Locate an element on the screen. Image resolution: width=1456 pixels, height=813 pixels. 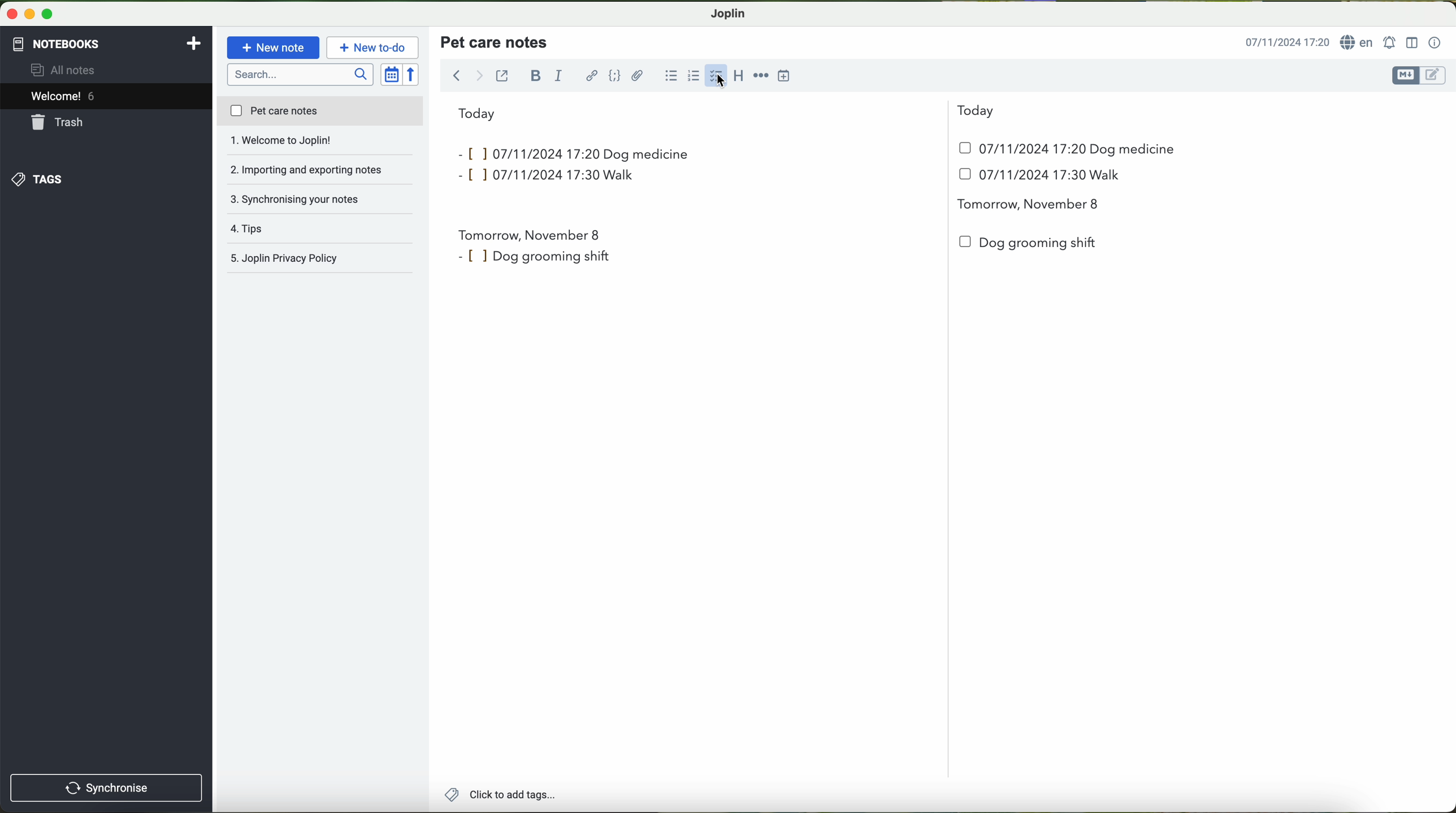
add tags is located at coordinates (500, 796).